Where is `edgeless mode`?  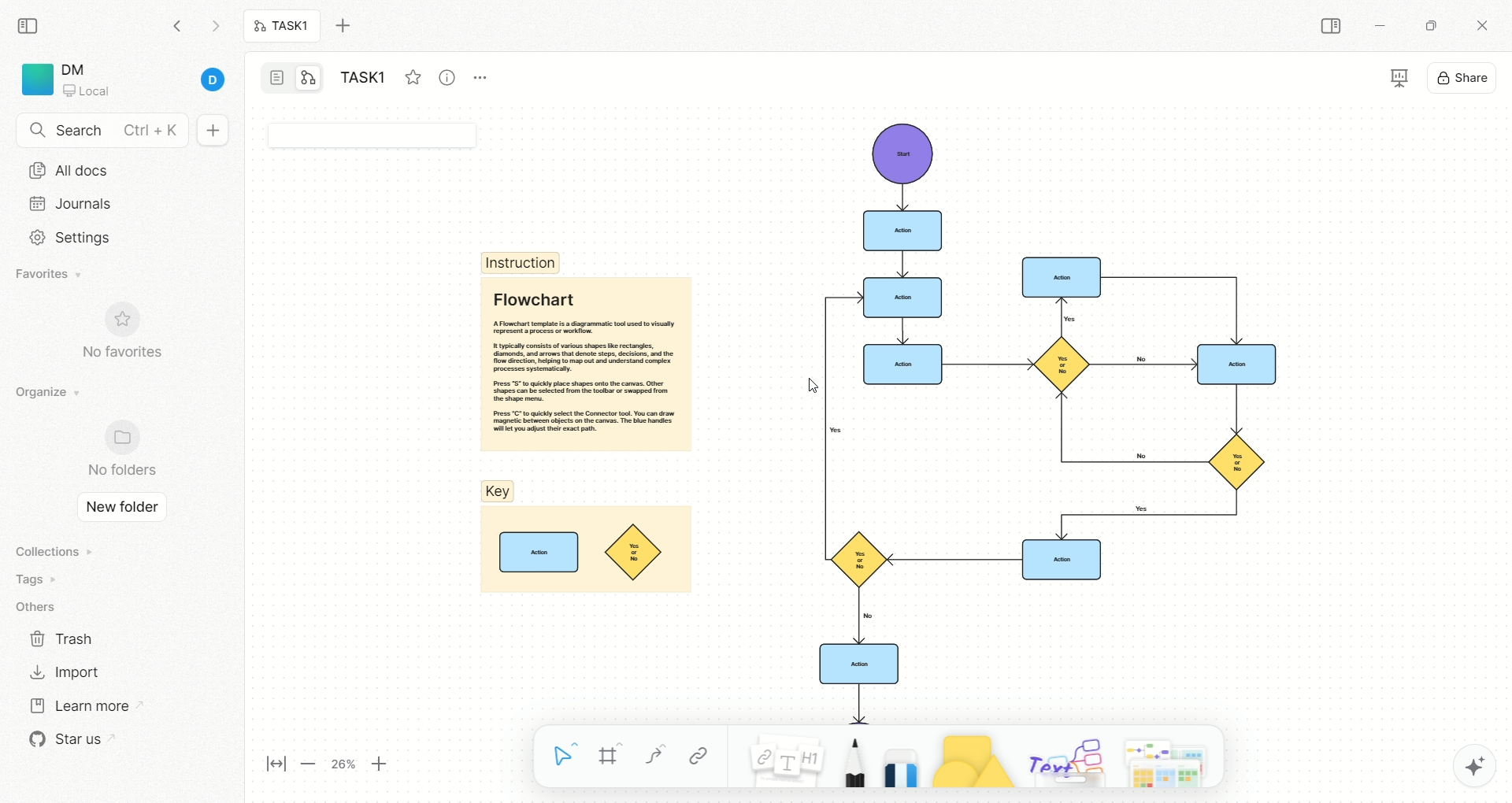
edgeless mode is located at coordinates (309, 77).